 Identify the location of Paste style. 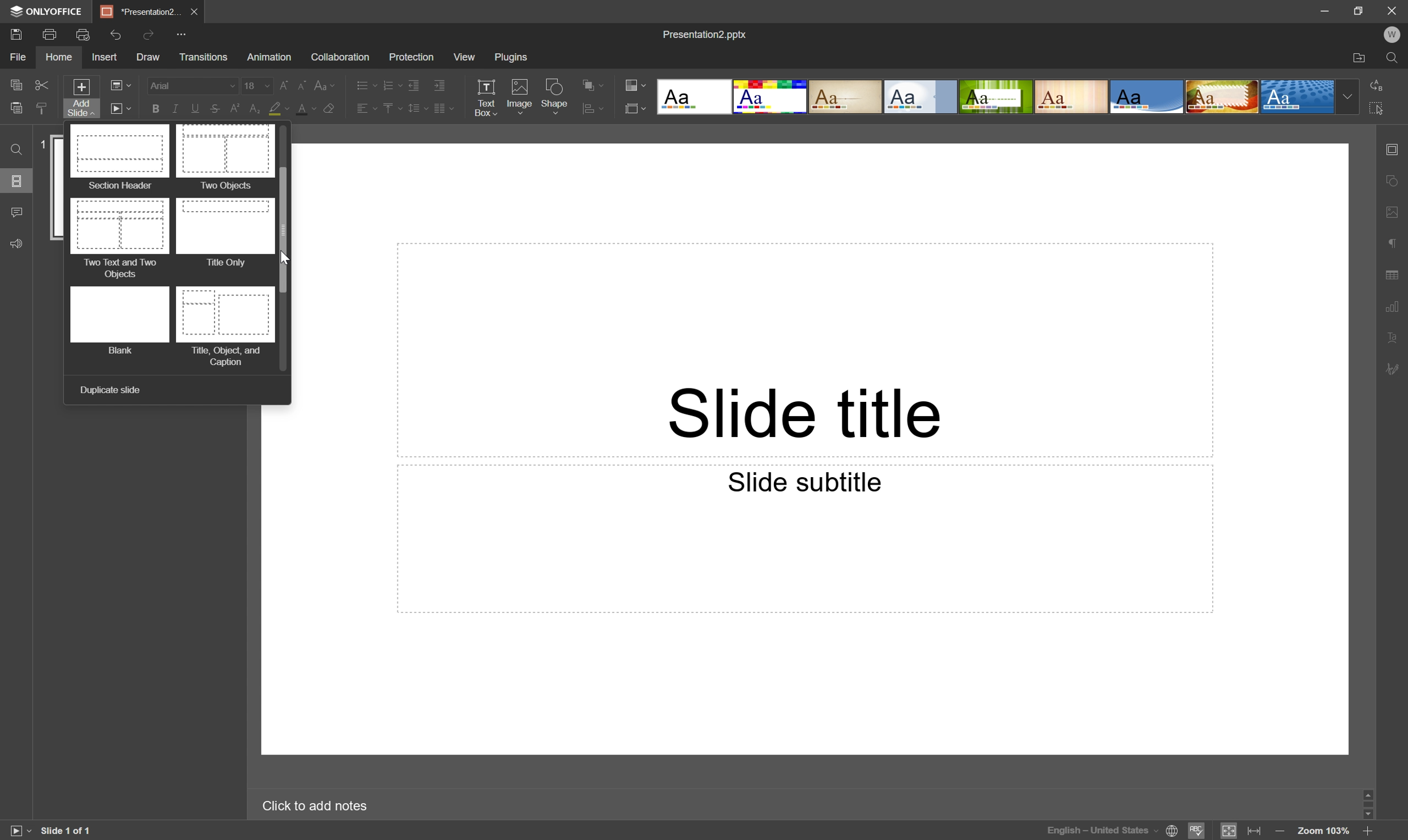
(41, 109).